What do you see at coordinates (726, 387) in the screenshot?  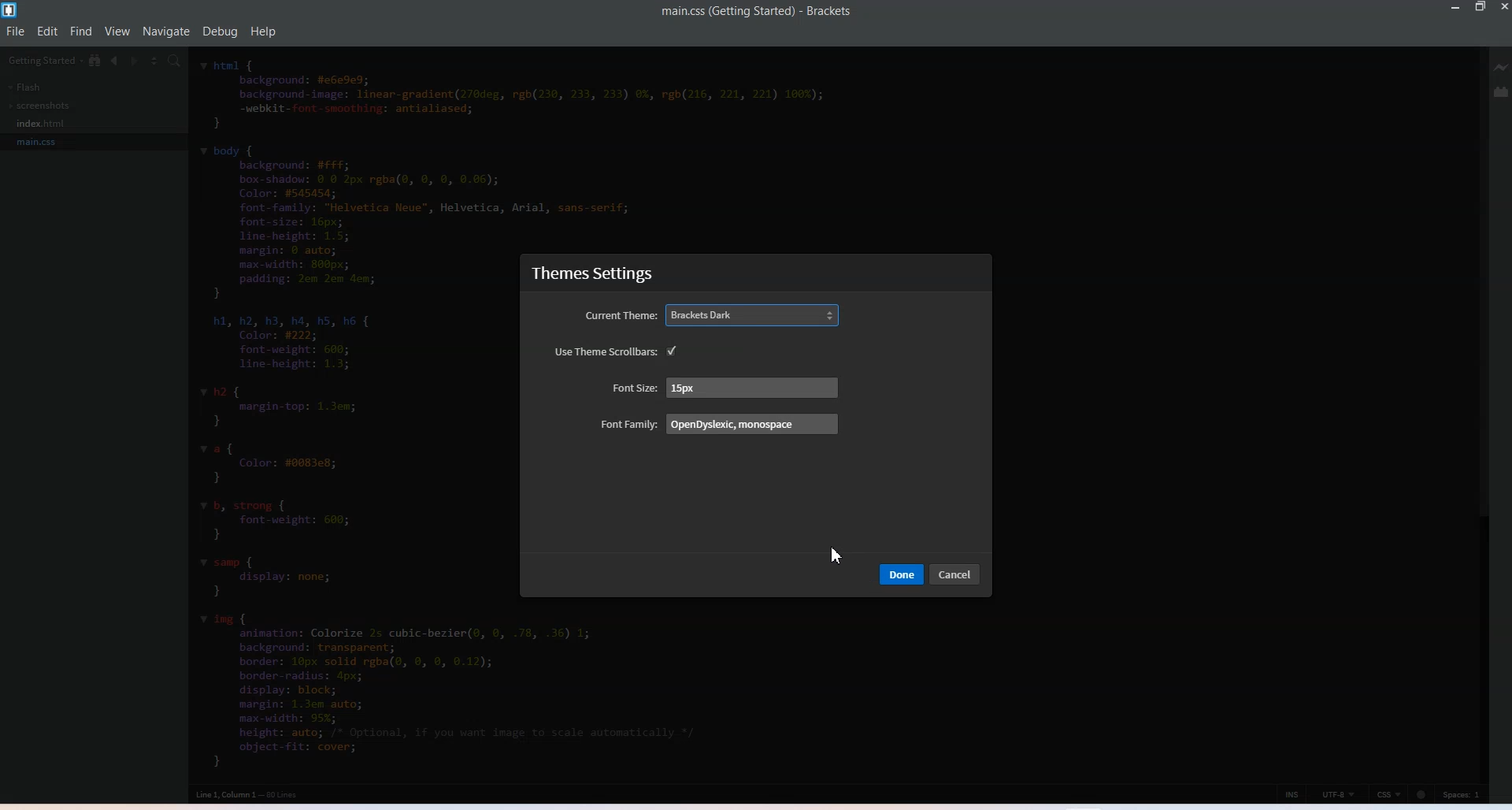 I see `Font Size` at bounding box center [726, 387].